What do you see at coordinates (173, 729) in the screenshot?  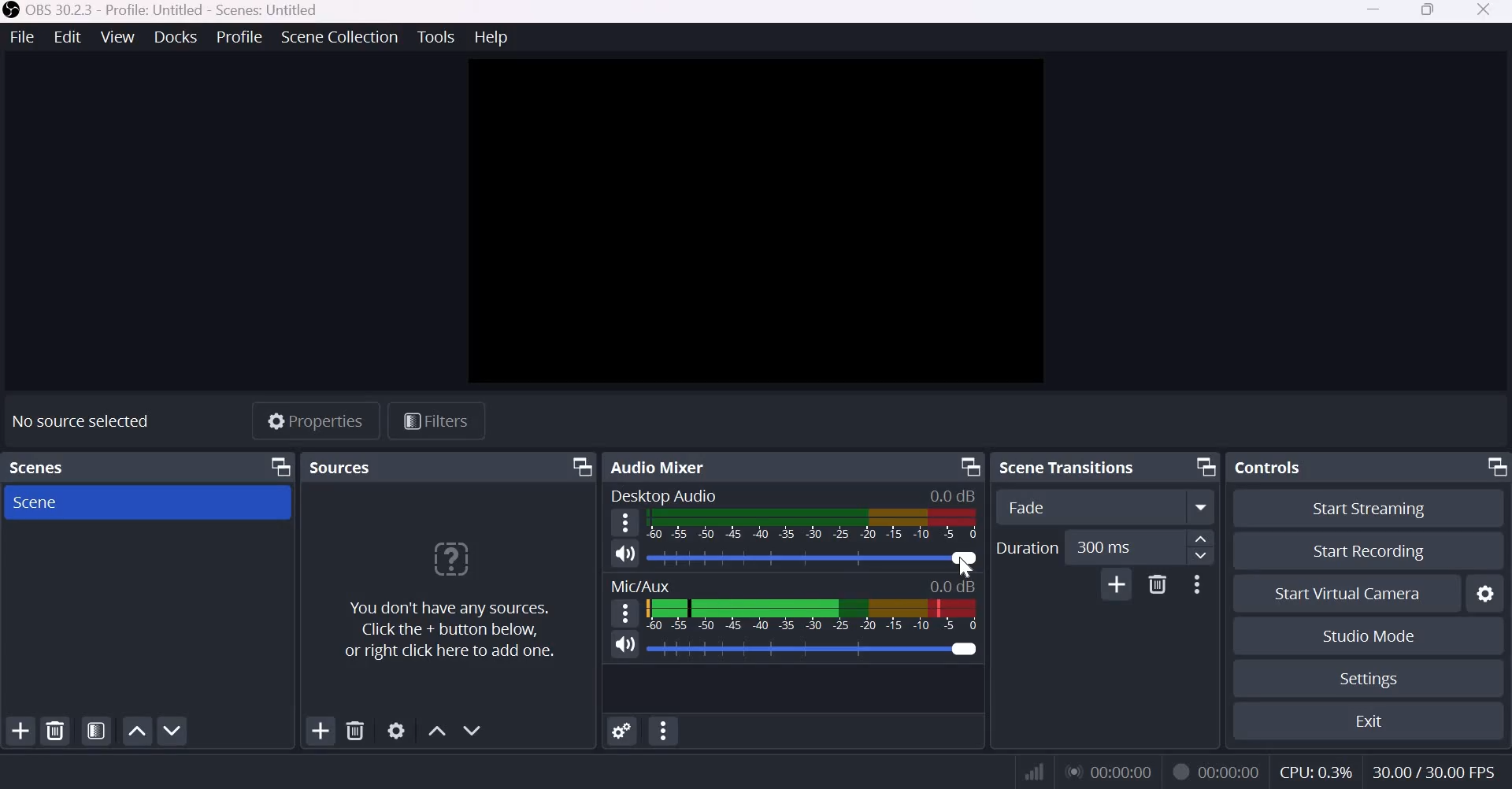 I see `Move scene down` at bounding box center [173, 729].